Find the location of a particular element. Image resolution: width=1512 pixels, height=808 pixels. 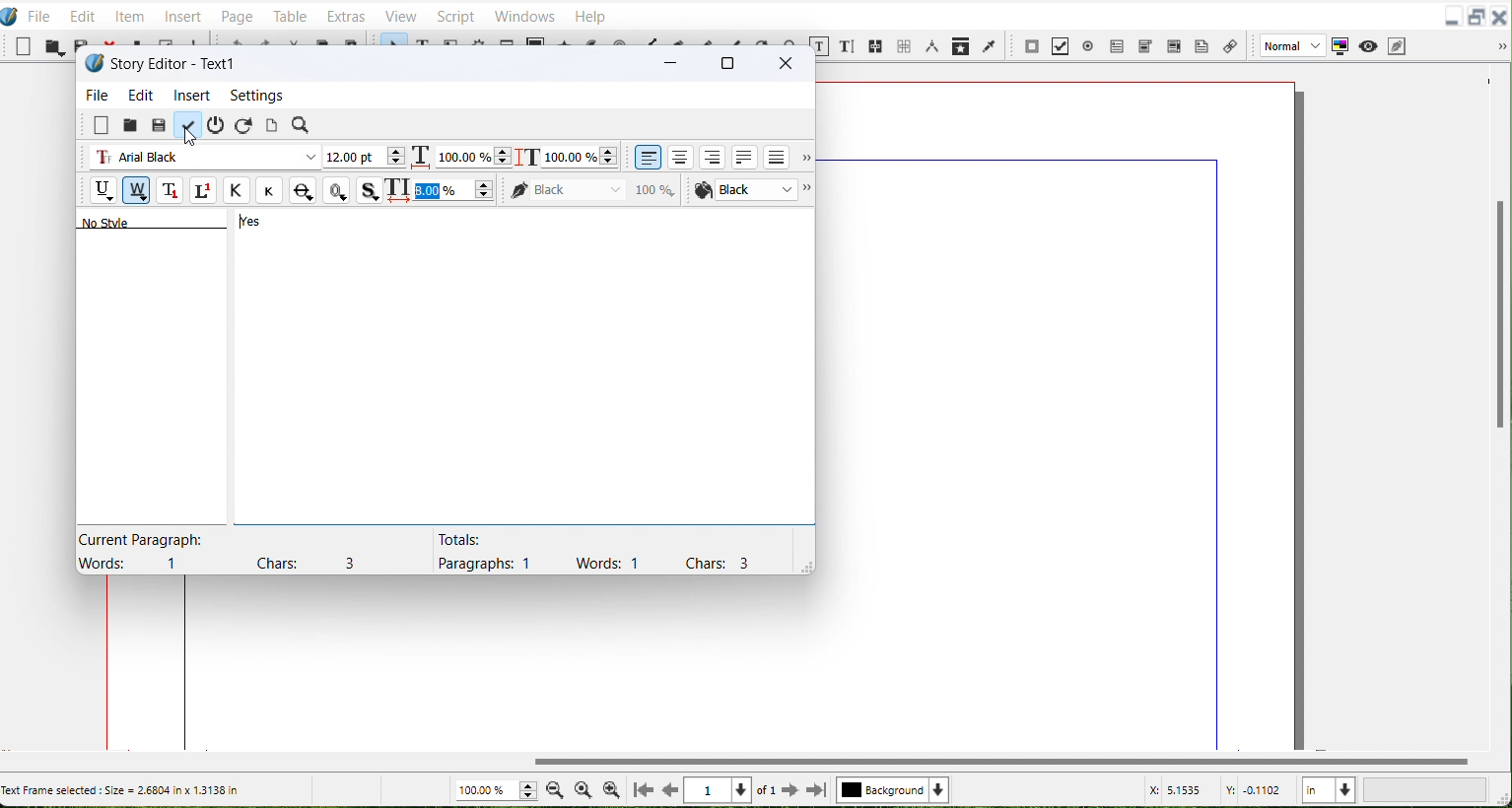

Script is located at coordinates (456, 15).